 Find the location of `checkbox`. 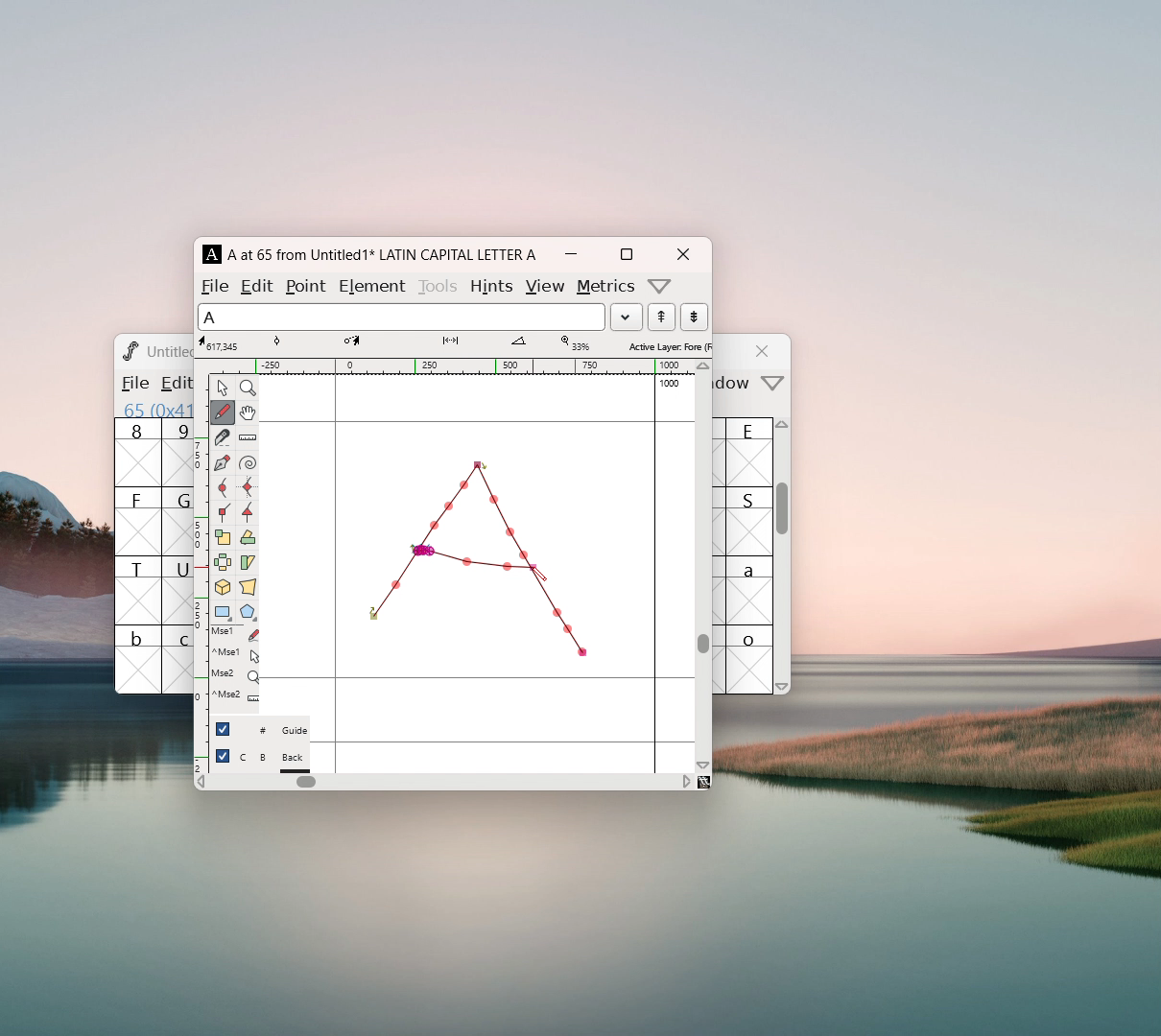

checkbox is located at coordinates (223, 728).